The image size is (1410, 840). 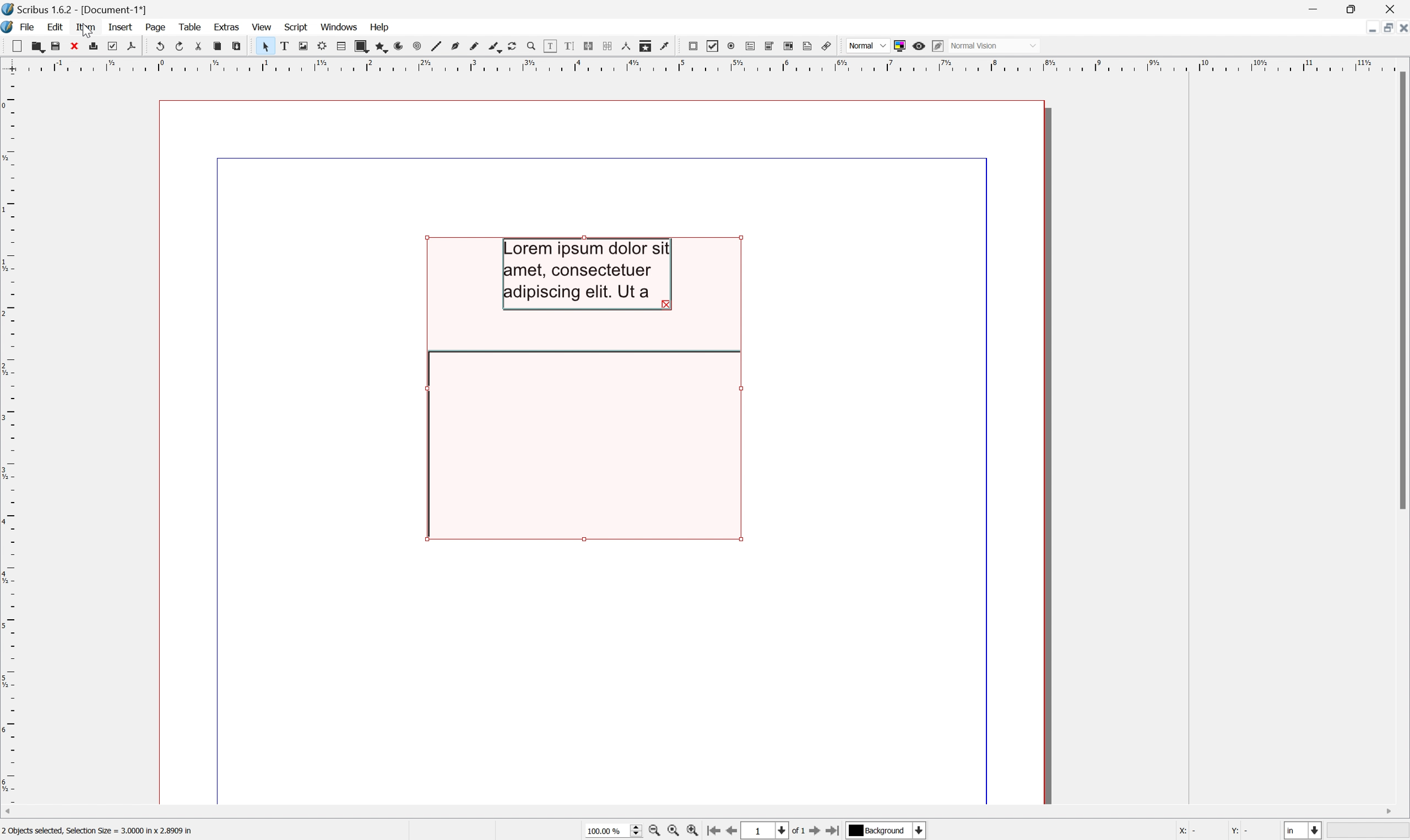 What do you see at coordinates (896, 44) in the screenshot?
I see `Toggle color management system` at bounding box center [896, 44].